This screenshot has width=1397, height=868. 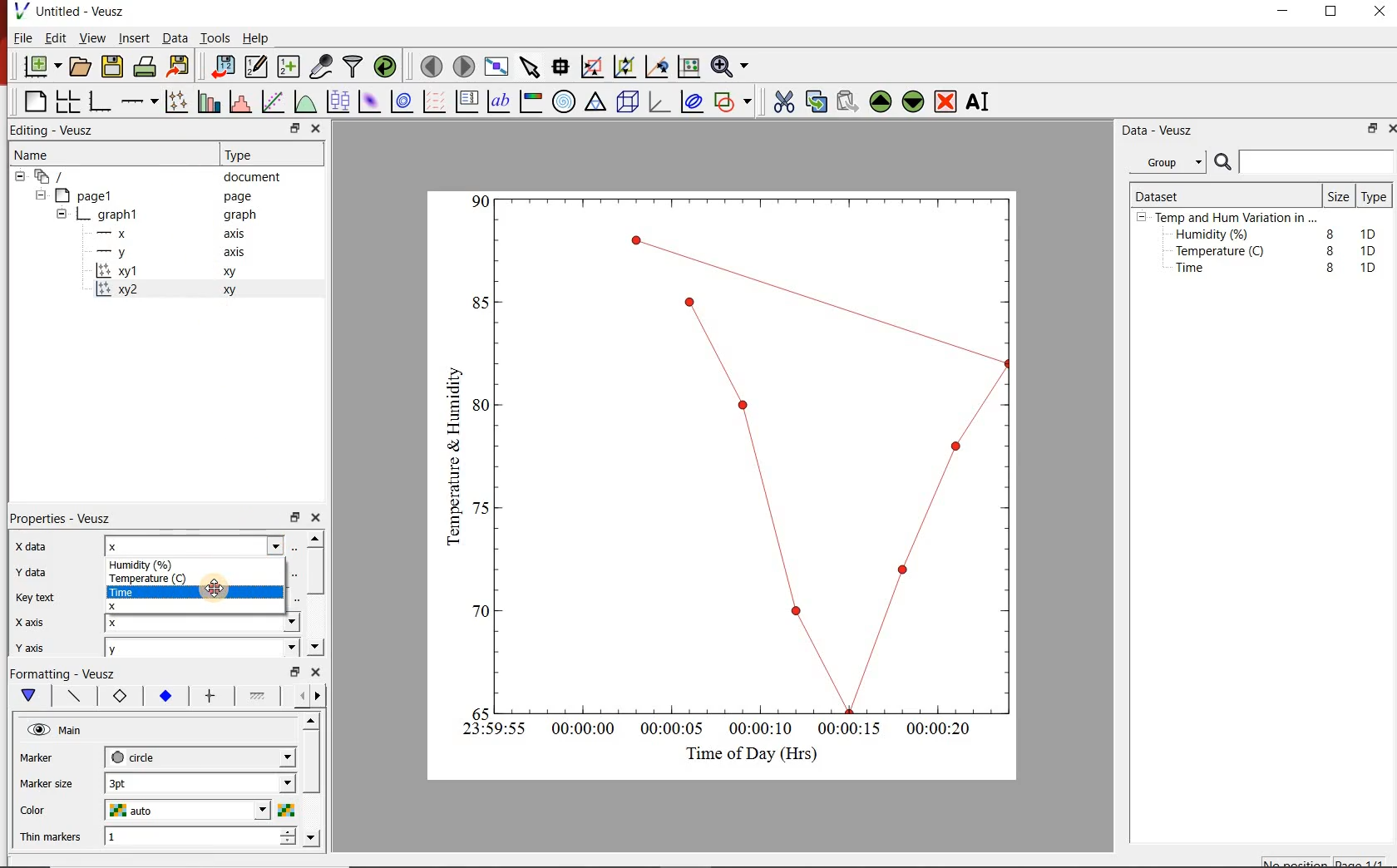 I want to click on close, so click(x=1389, y=128).